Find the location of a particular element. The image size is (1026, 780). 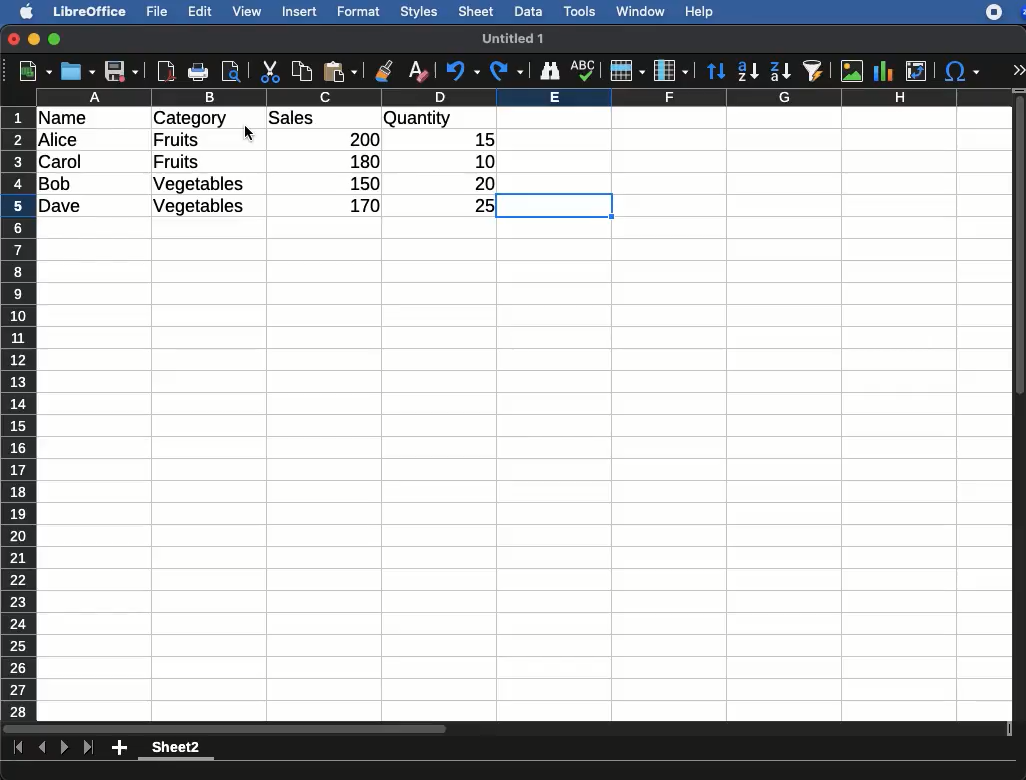

column is located at coordinates (671, 72).